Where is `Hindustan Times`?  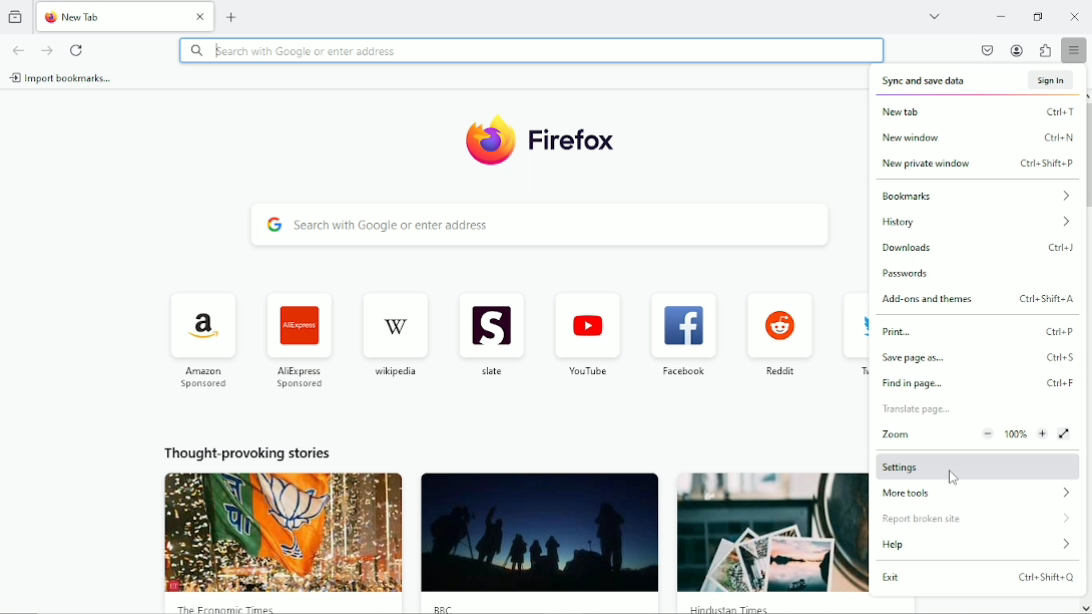
Hindustan Times is located at coordinates (728, 609).